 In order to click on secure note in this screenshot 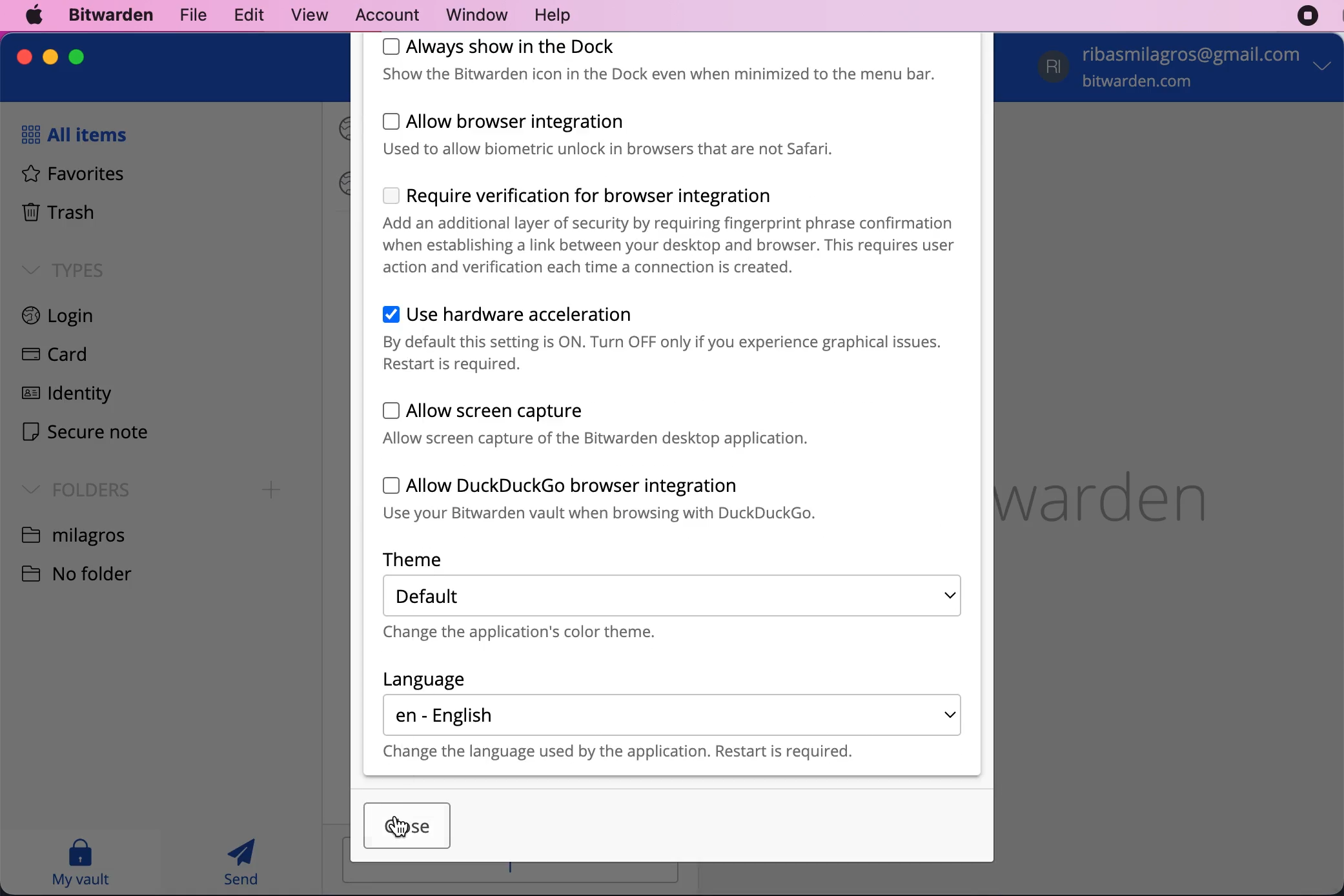, I will do `click(85, 434)`.